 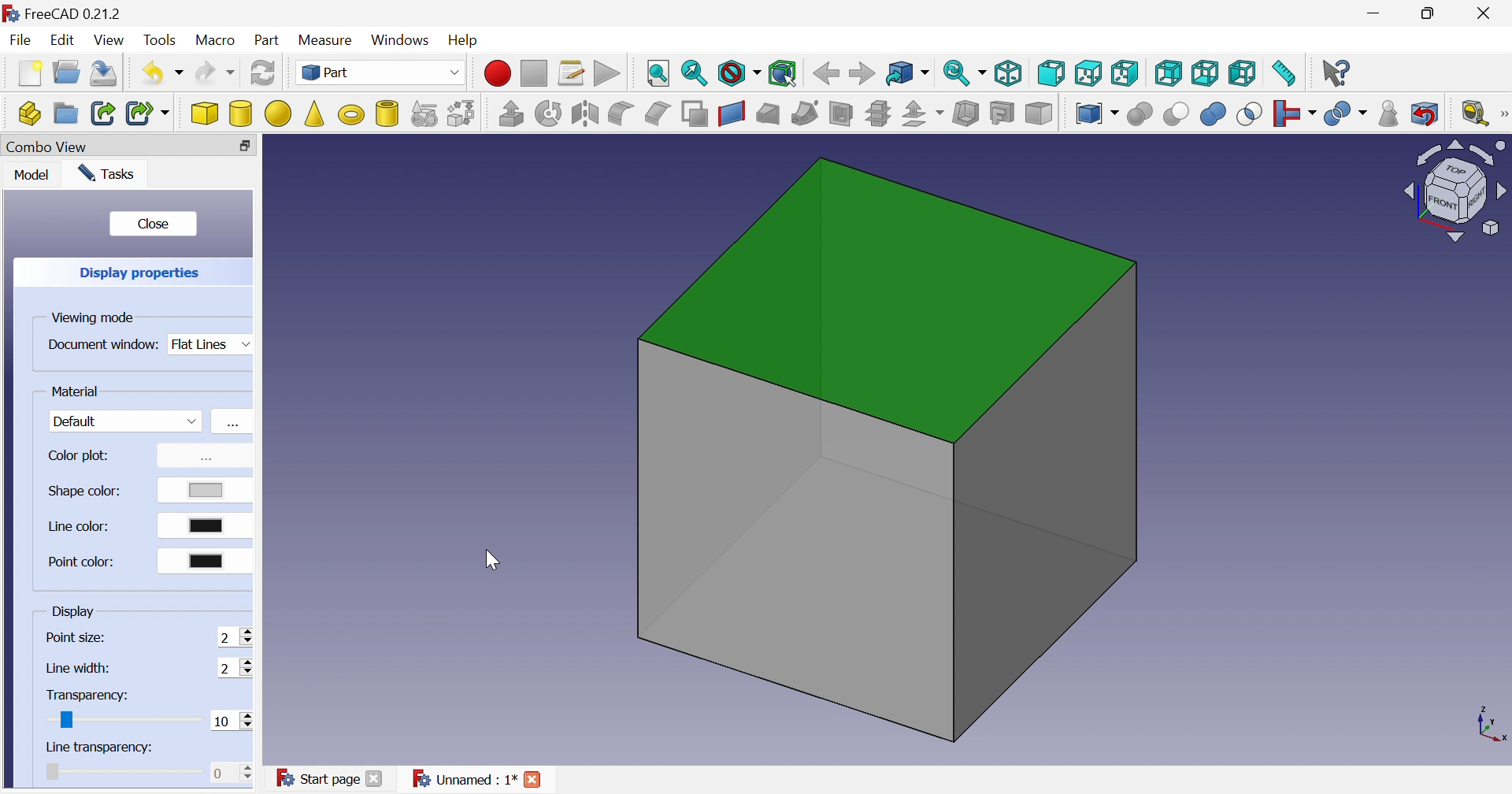 I want to click on Flat lines, so click(x=213, y=347).